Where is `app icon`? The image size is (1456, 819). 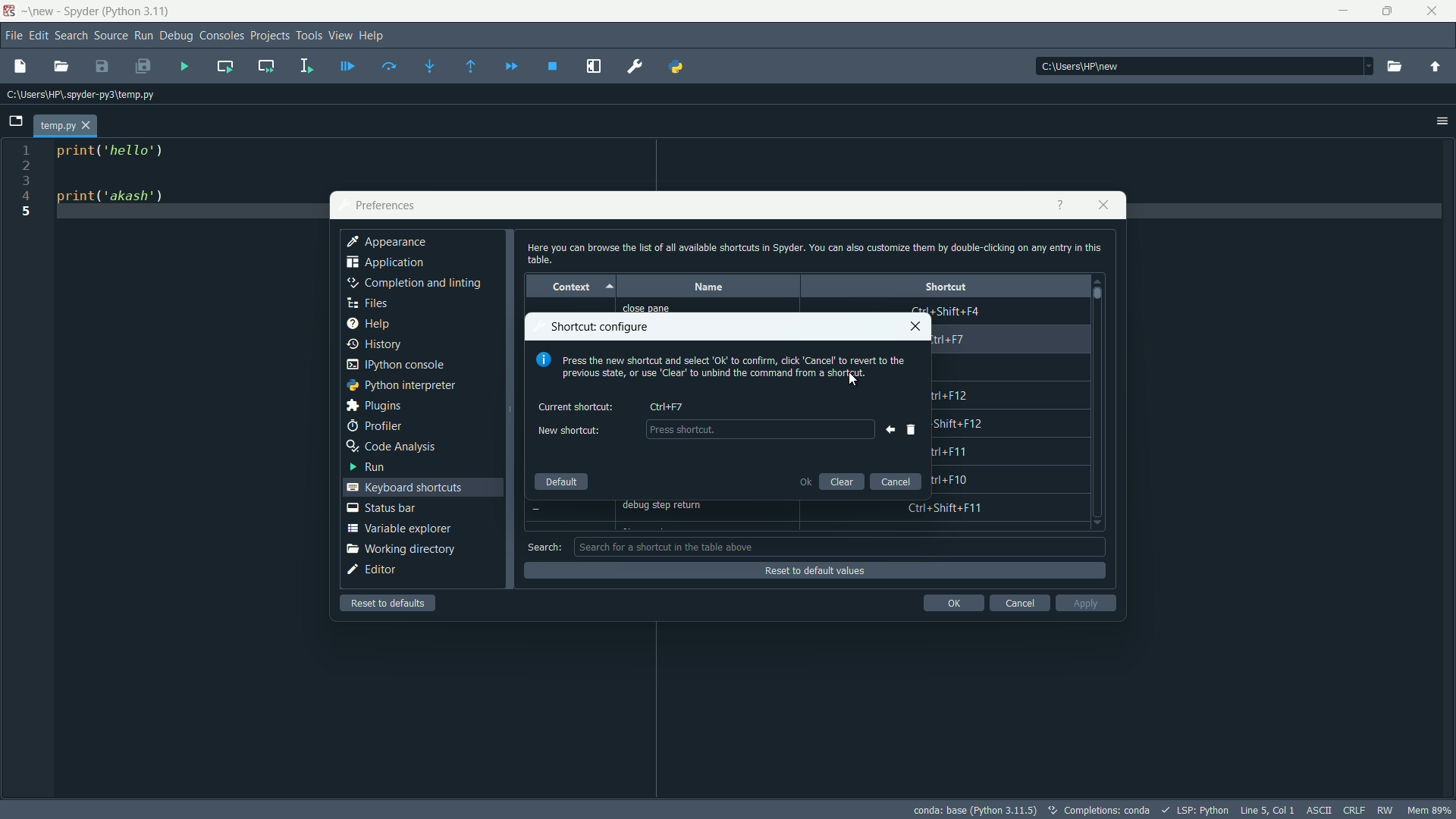
app icon is located at coordinates (9, 11).